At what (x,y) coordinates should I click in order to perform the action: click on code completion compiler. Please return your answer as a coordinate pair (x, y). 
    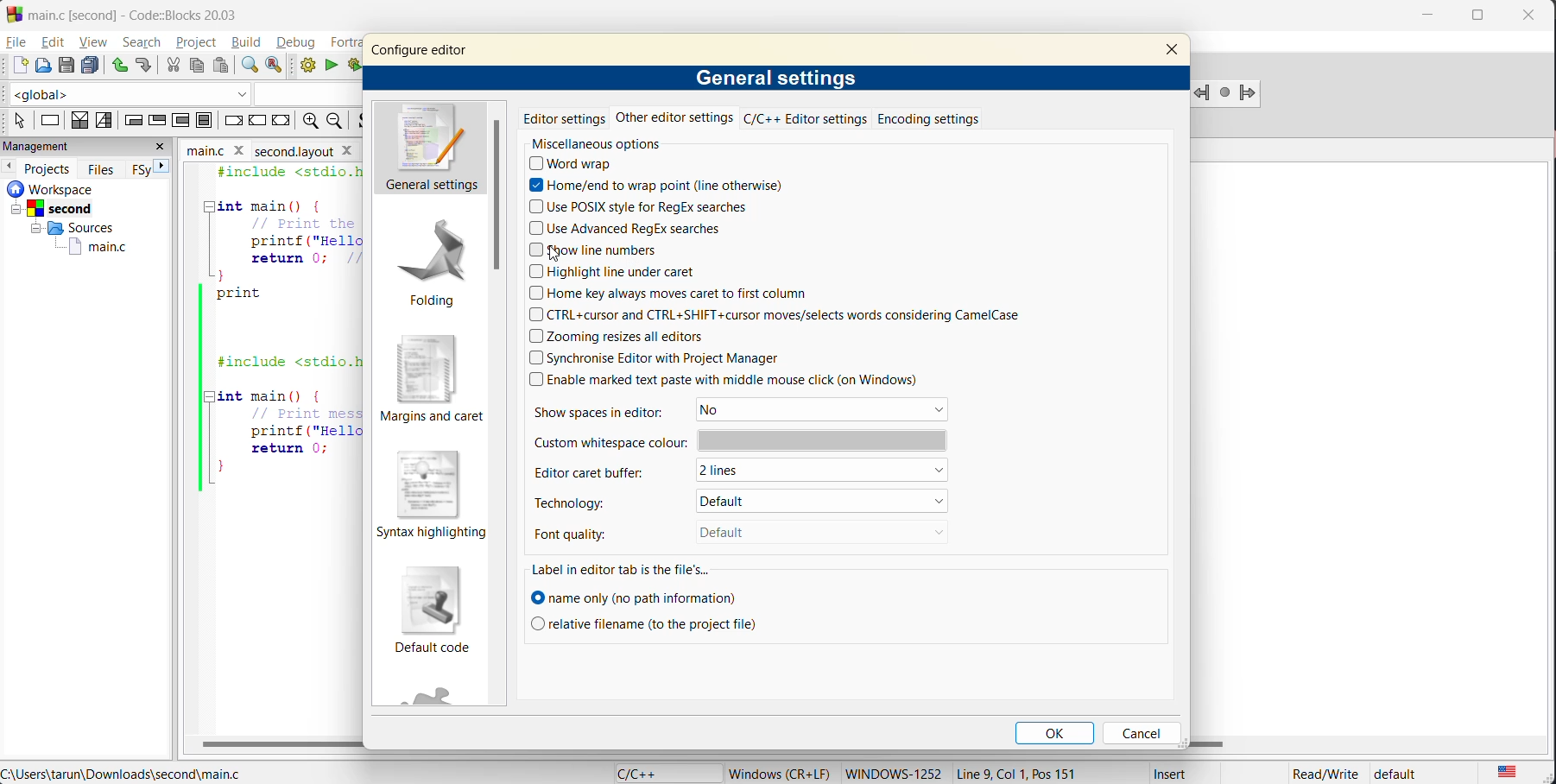
    Looking at the image, I should click on (173, 92).